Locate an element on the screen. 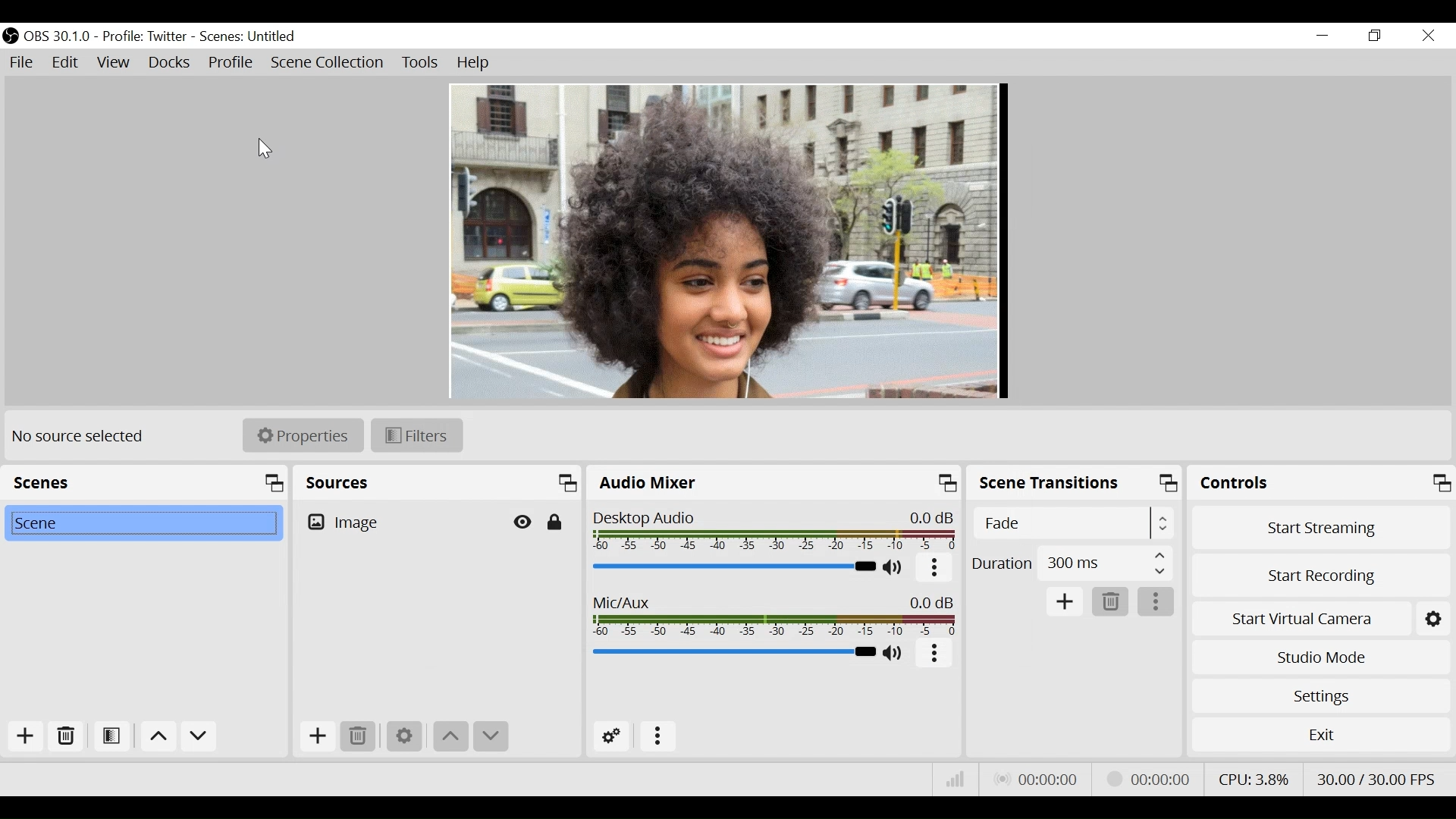 Image resolution: width=1456 pixels, height=819 pixels. Hide/Display is located at coordinates (524, 522).